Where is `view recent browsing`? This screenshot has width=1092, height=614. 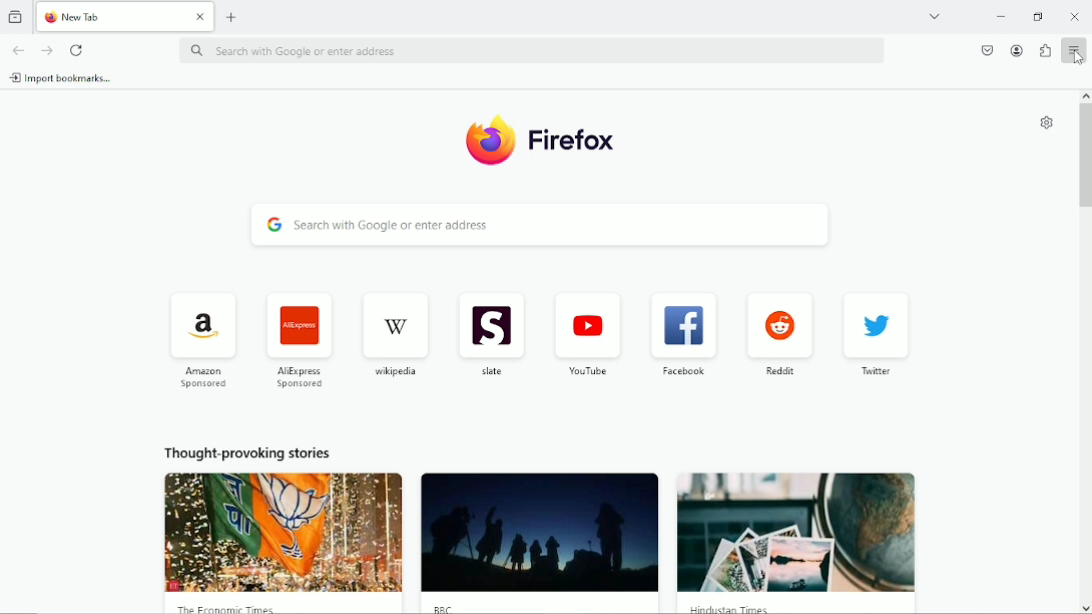 view recent browsing is located at coordinates (17, 15).